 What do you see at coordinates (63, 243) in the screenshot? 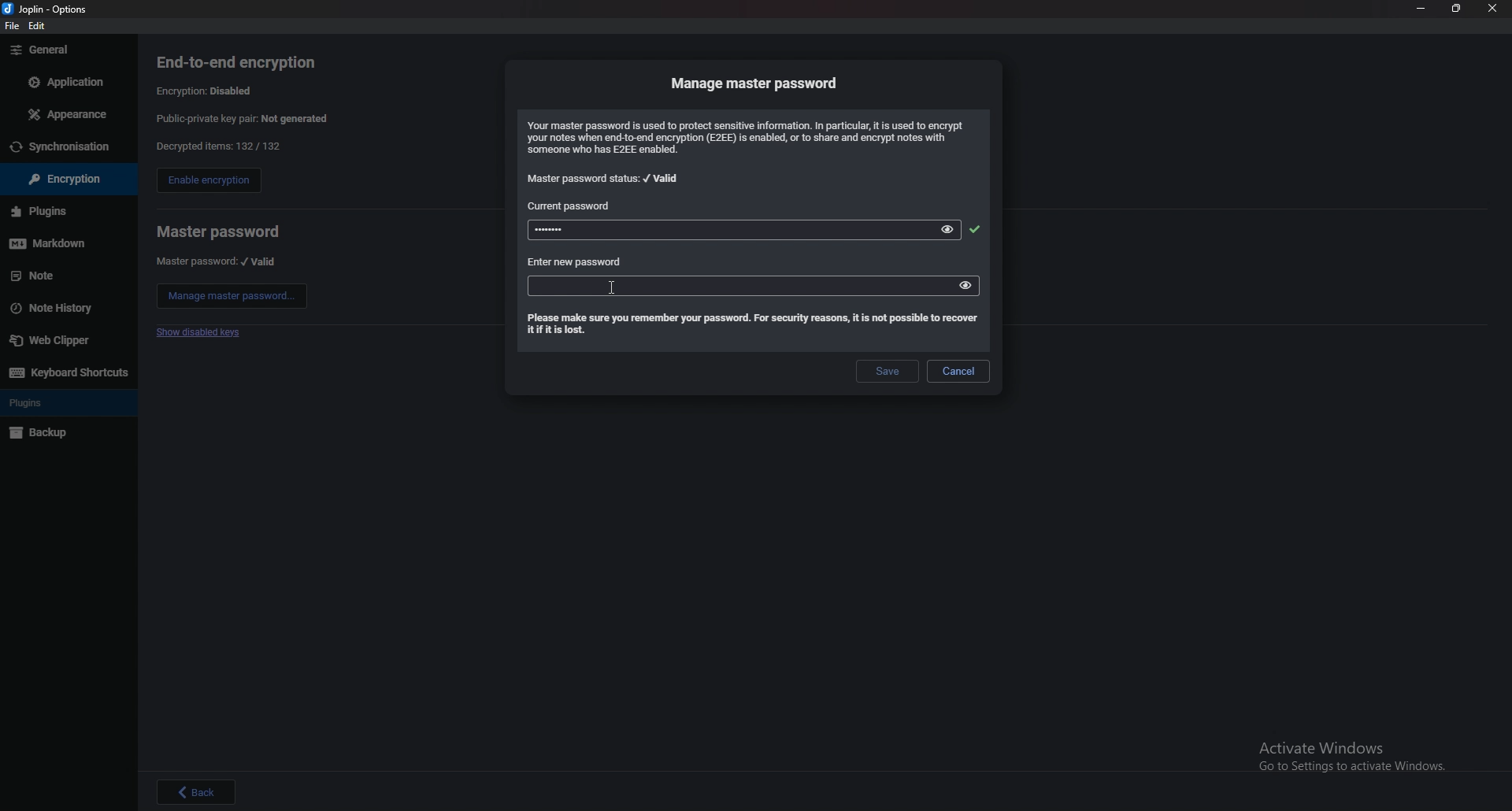
I see `markdown` at bounding box center [63, 243].